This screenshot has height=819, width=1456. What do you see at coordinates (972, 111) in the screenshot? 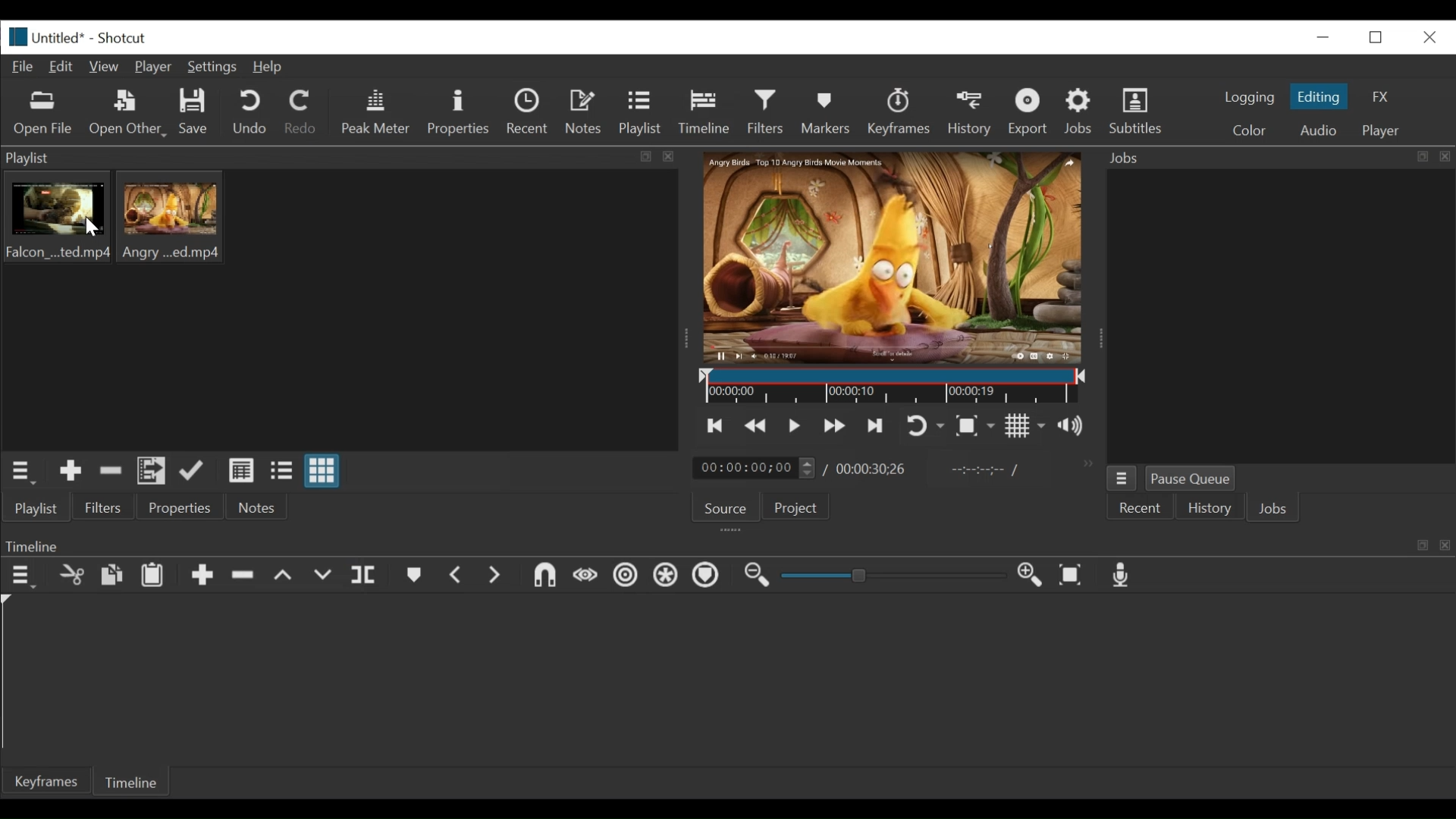
I see `History` at bounding box center [972, 111].